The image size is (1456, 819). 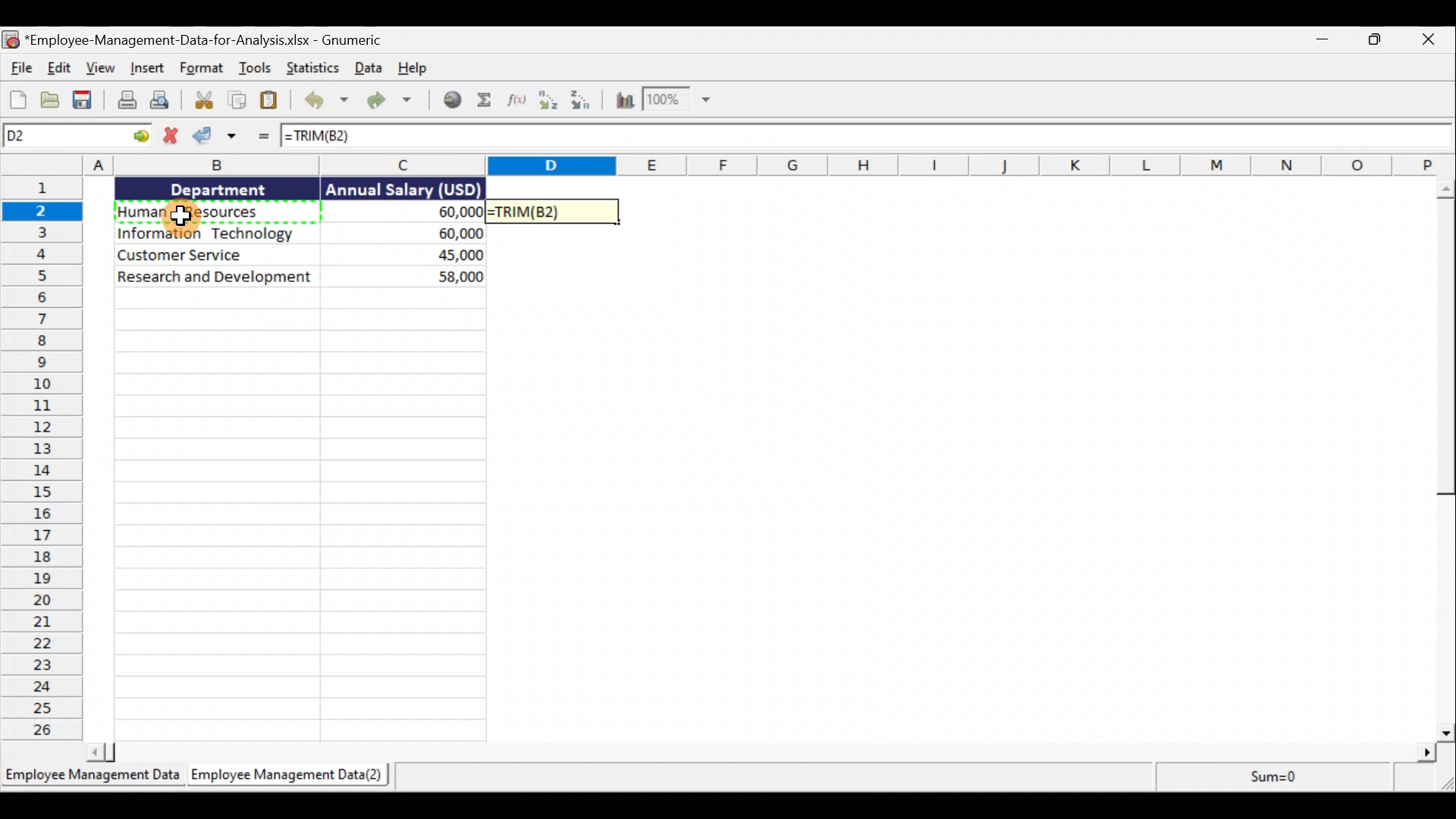 I want to click on Insert a chart, so click(x=625, y=101).